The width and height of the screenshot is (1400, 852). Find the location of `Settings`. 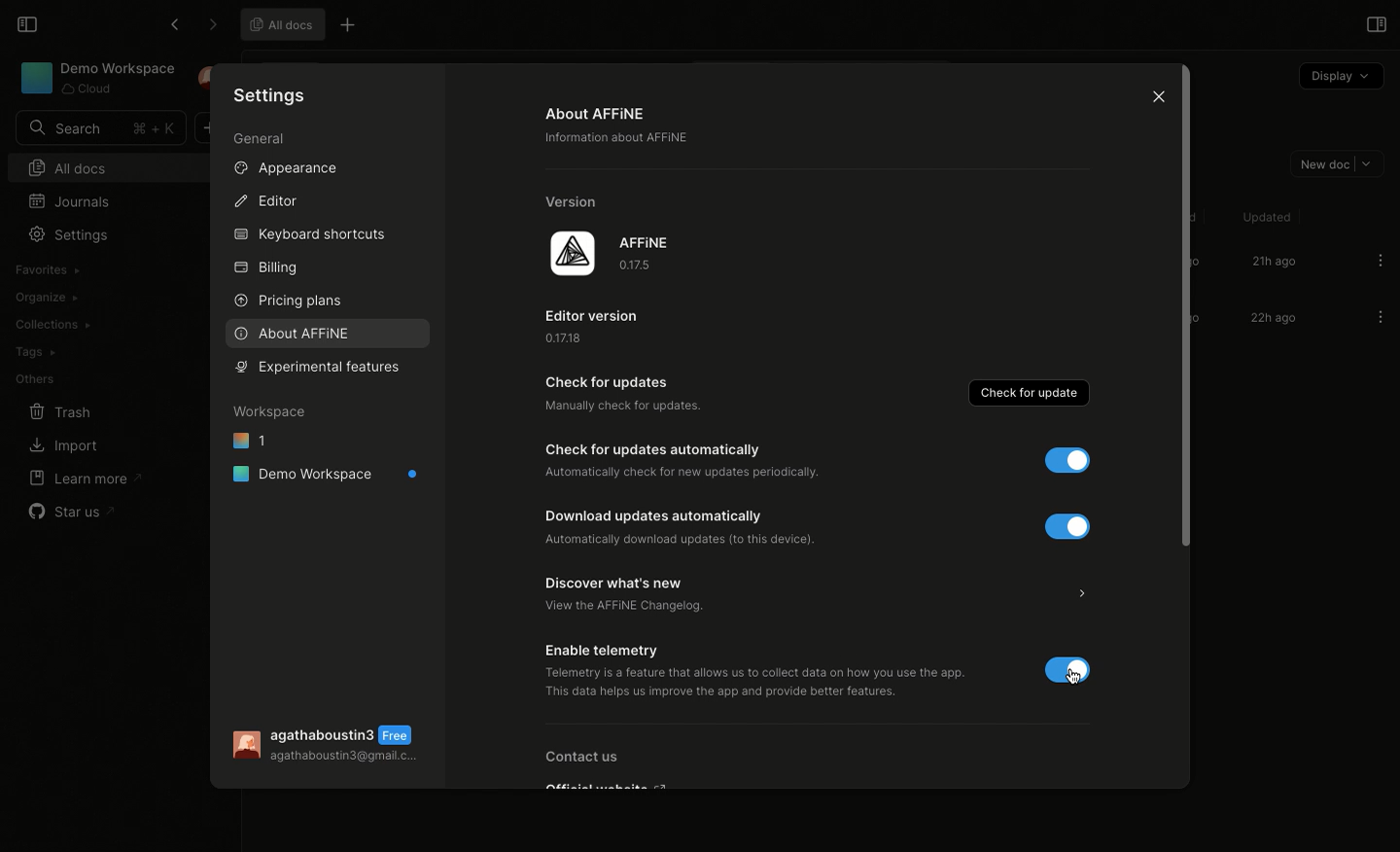

Settings is located at coordinates (272, 94).